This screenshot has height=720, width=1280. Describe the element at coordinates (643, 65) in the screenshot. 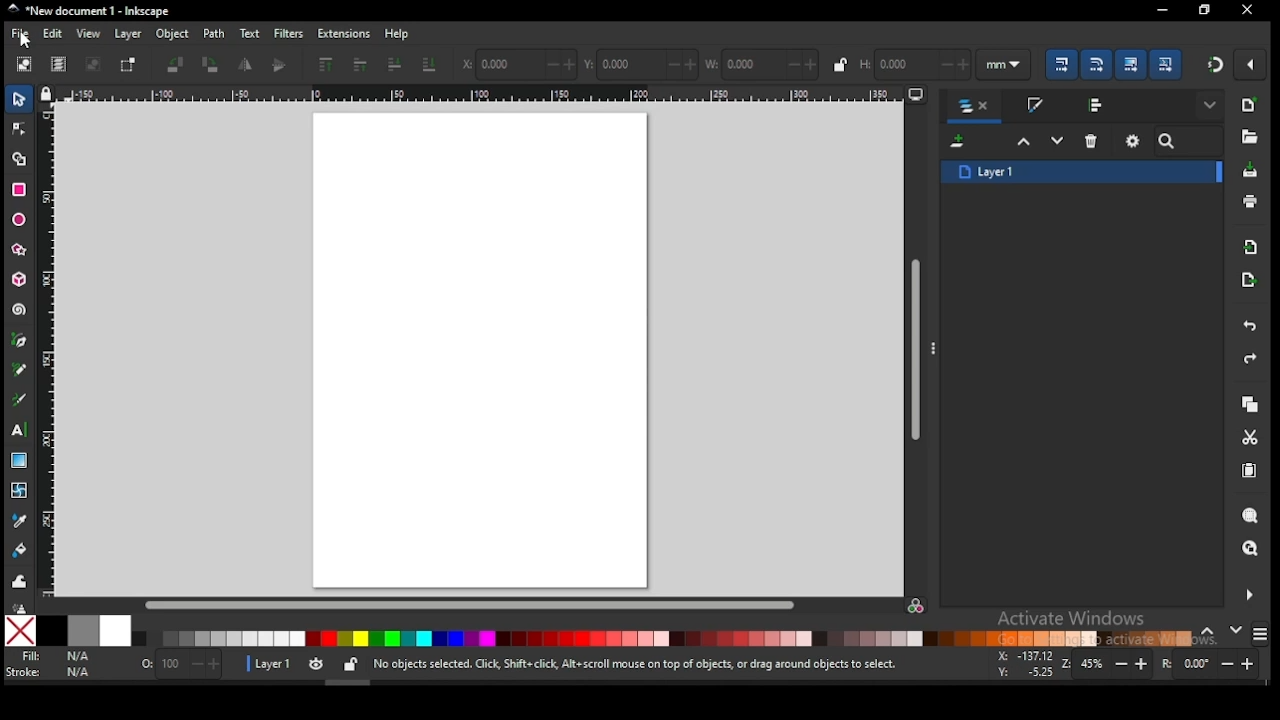

I see `vertical coordinates of selection` at that location.